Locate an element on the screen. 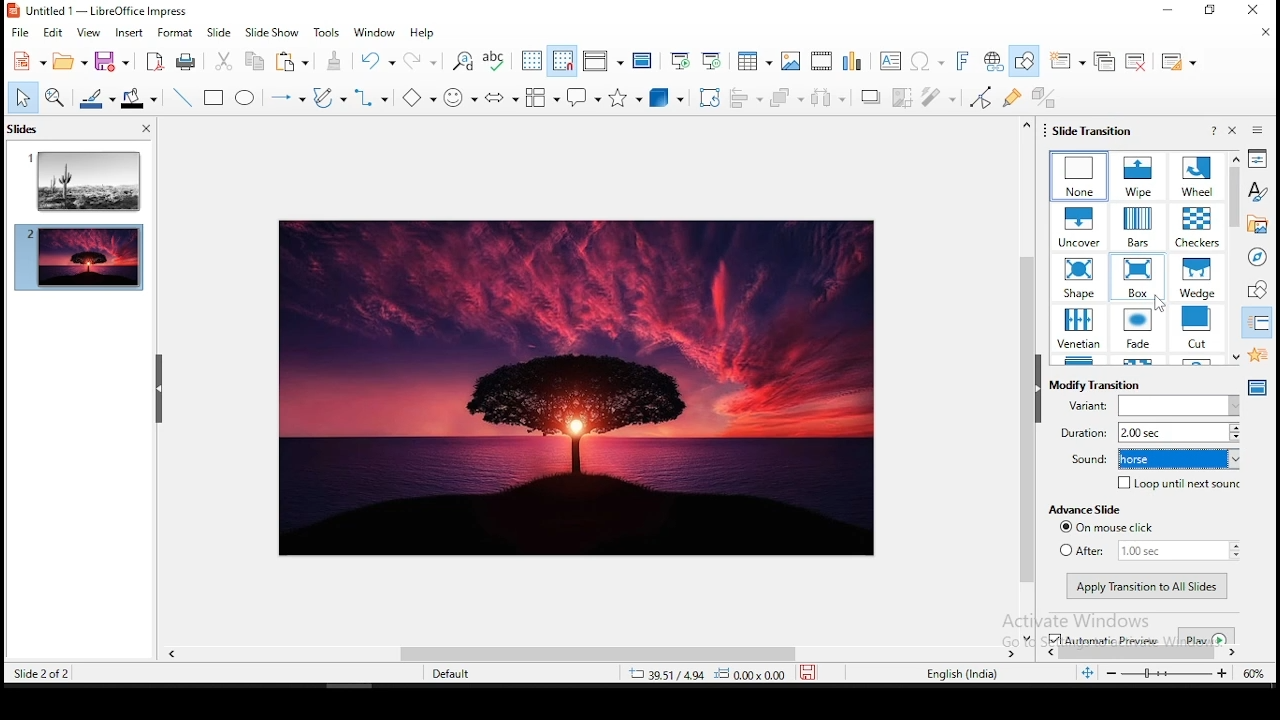 Image resolution: width=1280 pixels, height=720 pixels. english (india) is located at coordinates (961, 674).